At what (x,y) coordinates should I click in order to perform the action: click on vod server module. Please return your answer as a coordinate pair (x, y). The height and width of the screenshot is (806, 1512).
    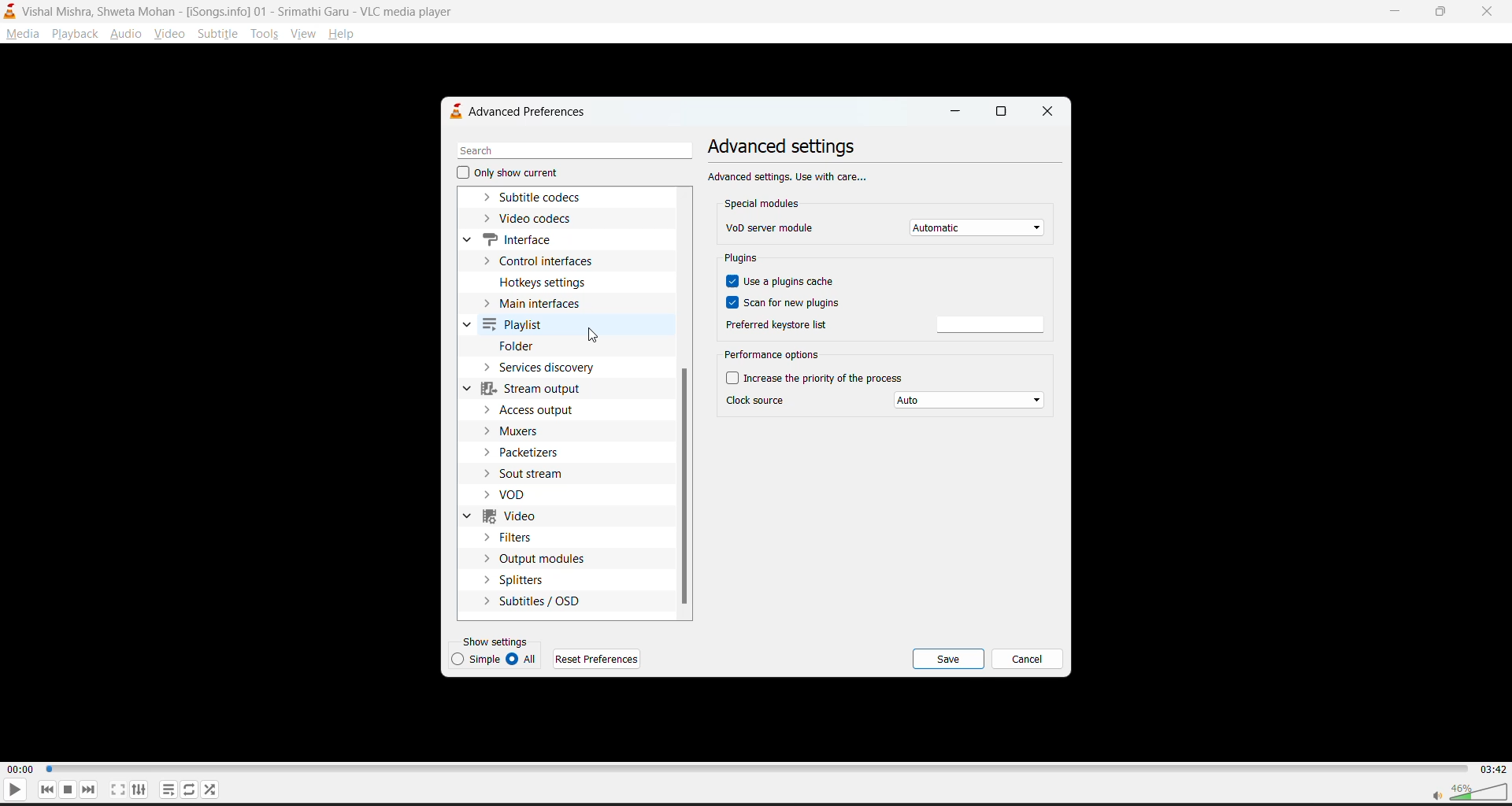
    Looking at the image, I should click on (771, 227).